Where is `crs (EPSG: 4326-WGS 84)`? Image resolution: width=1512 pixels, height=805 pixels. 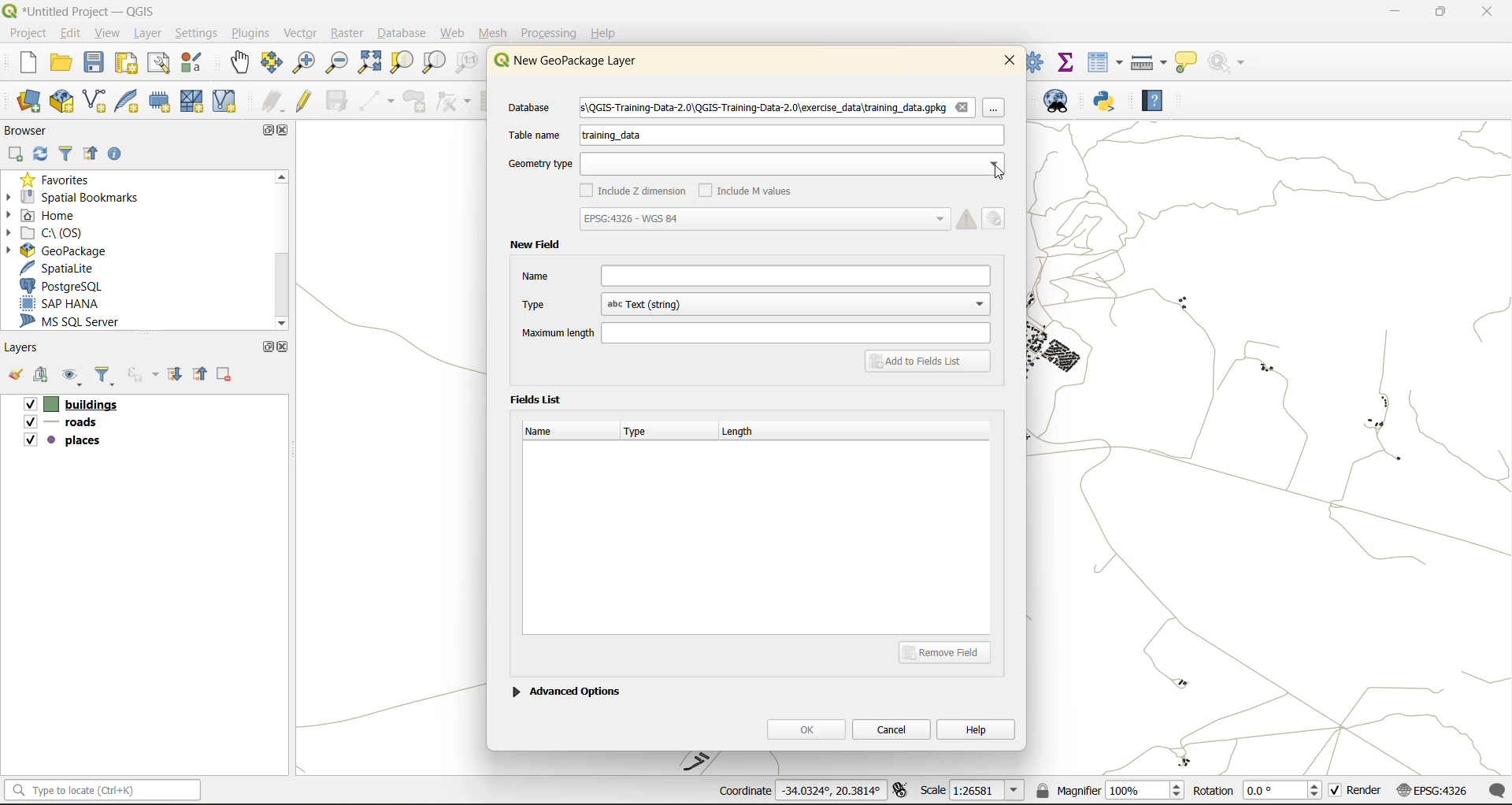 crs (EPSG: 4326-WGS 84) is located at coordinates (763, 219).